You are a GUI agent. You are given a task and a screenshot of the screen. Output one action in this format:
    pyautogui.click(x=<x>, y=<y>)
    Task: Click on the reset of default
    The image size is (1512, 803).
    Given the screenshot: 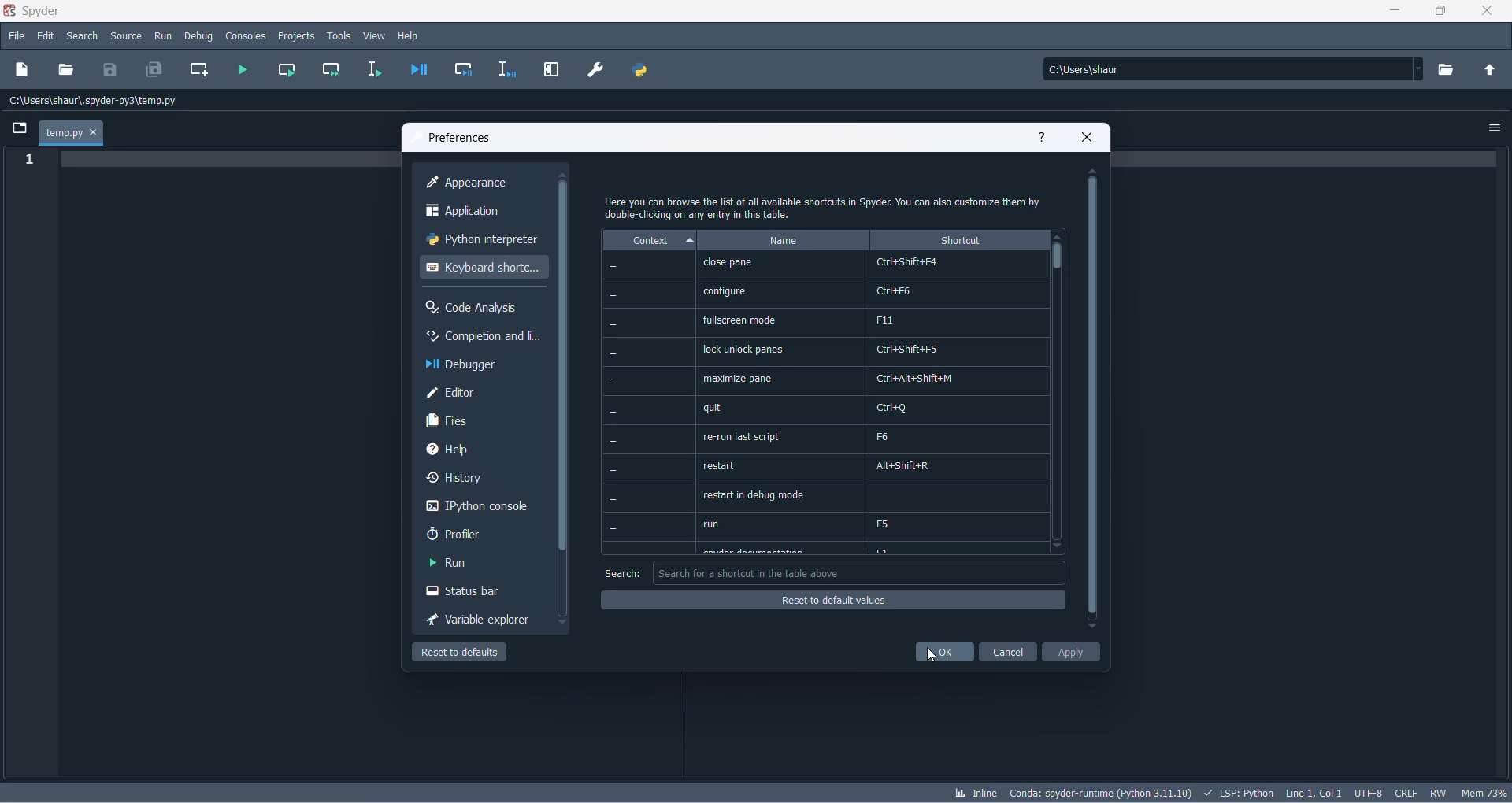 What is the action you would take?
    pyautogui.click(x=835, y=600)
    